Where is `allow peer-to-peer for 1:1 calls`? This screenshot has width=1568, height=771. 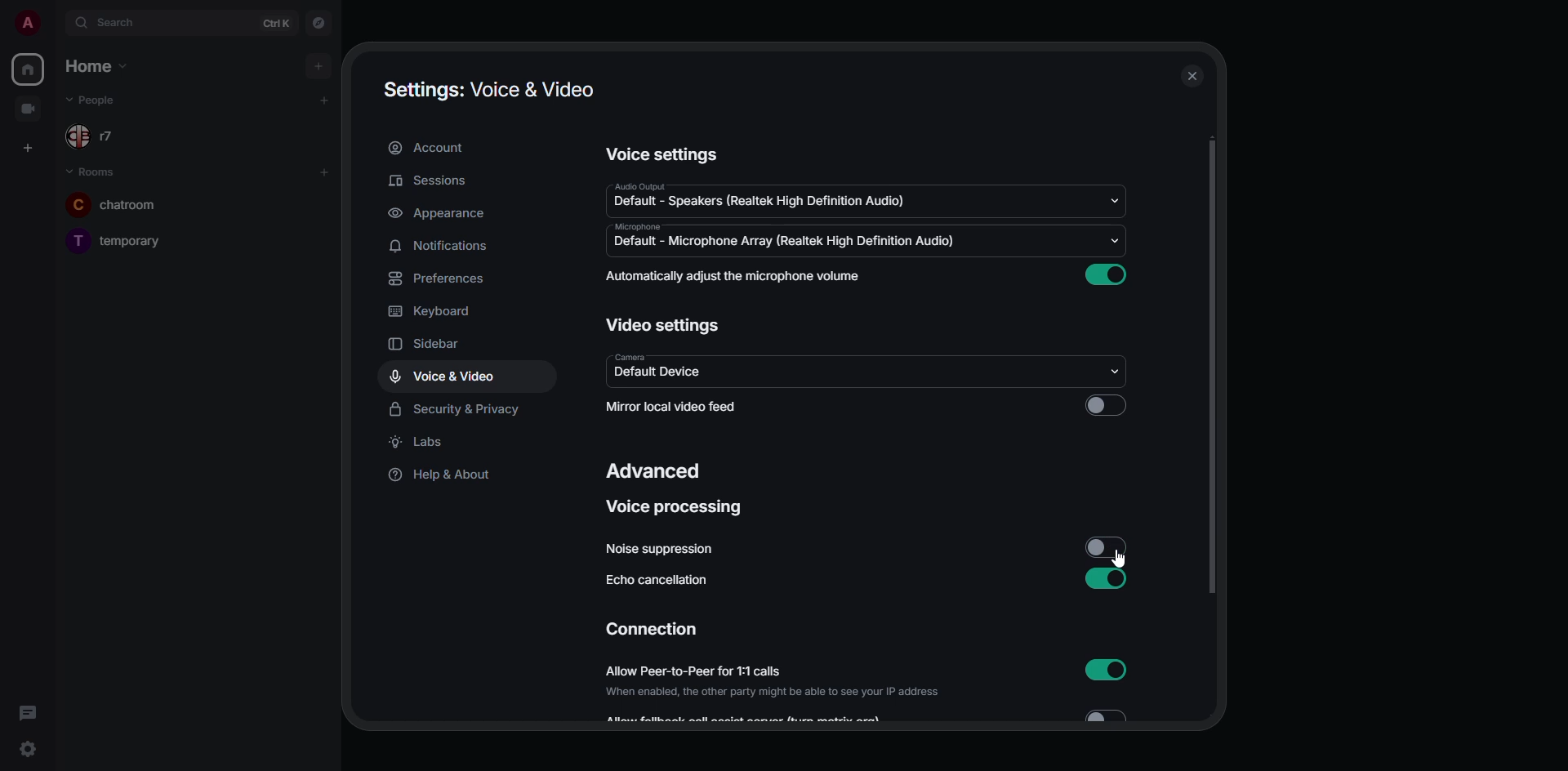
allow peer-to-peer for 1:1 calls is located at coordinates (770, 682).